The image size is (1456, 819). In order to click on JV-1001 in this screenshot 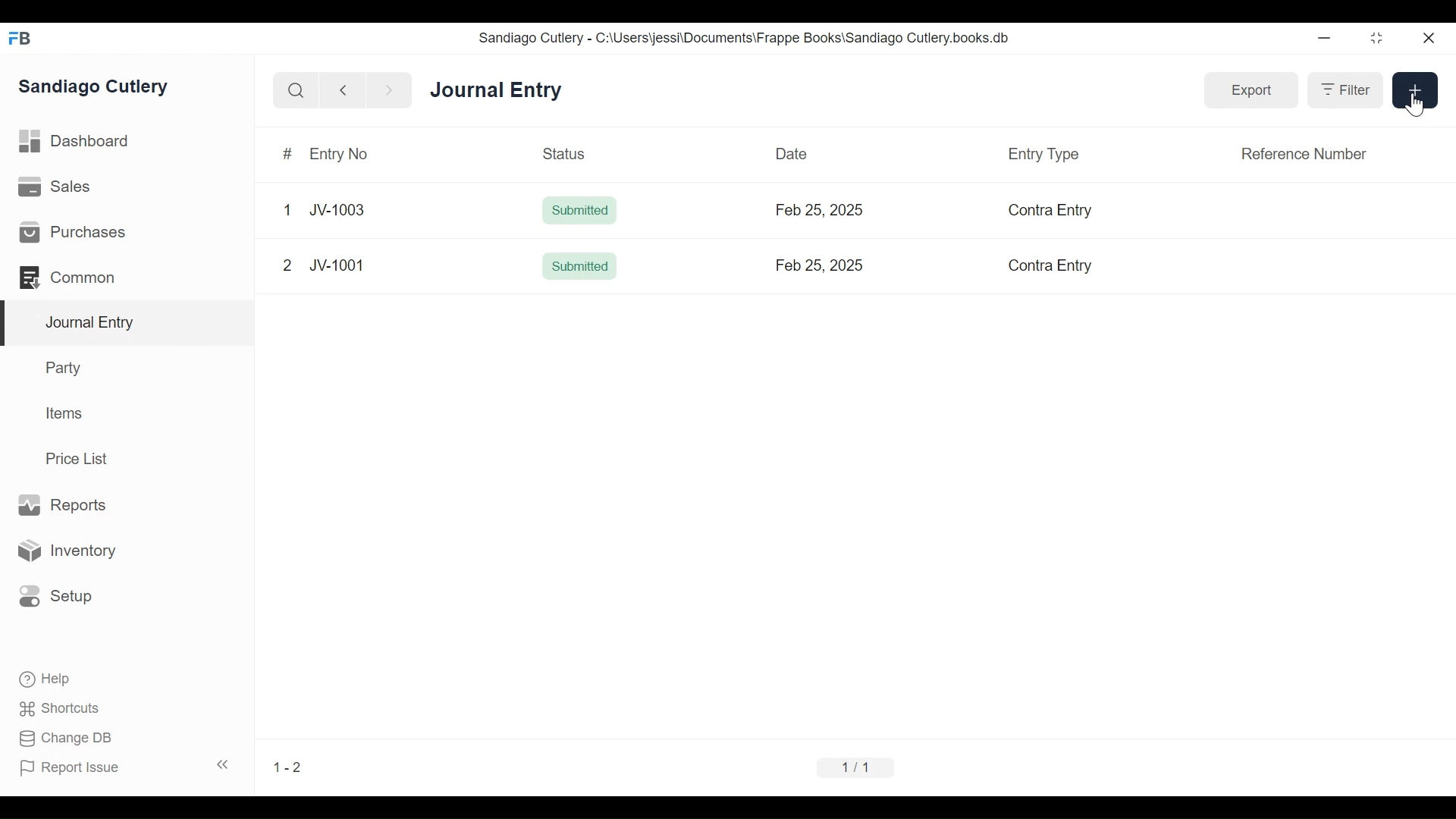, I will do `click(335, 258)`.